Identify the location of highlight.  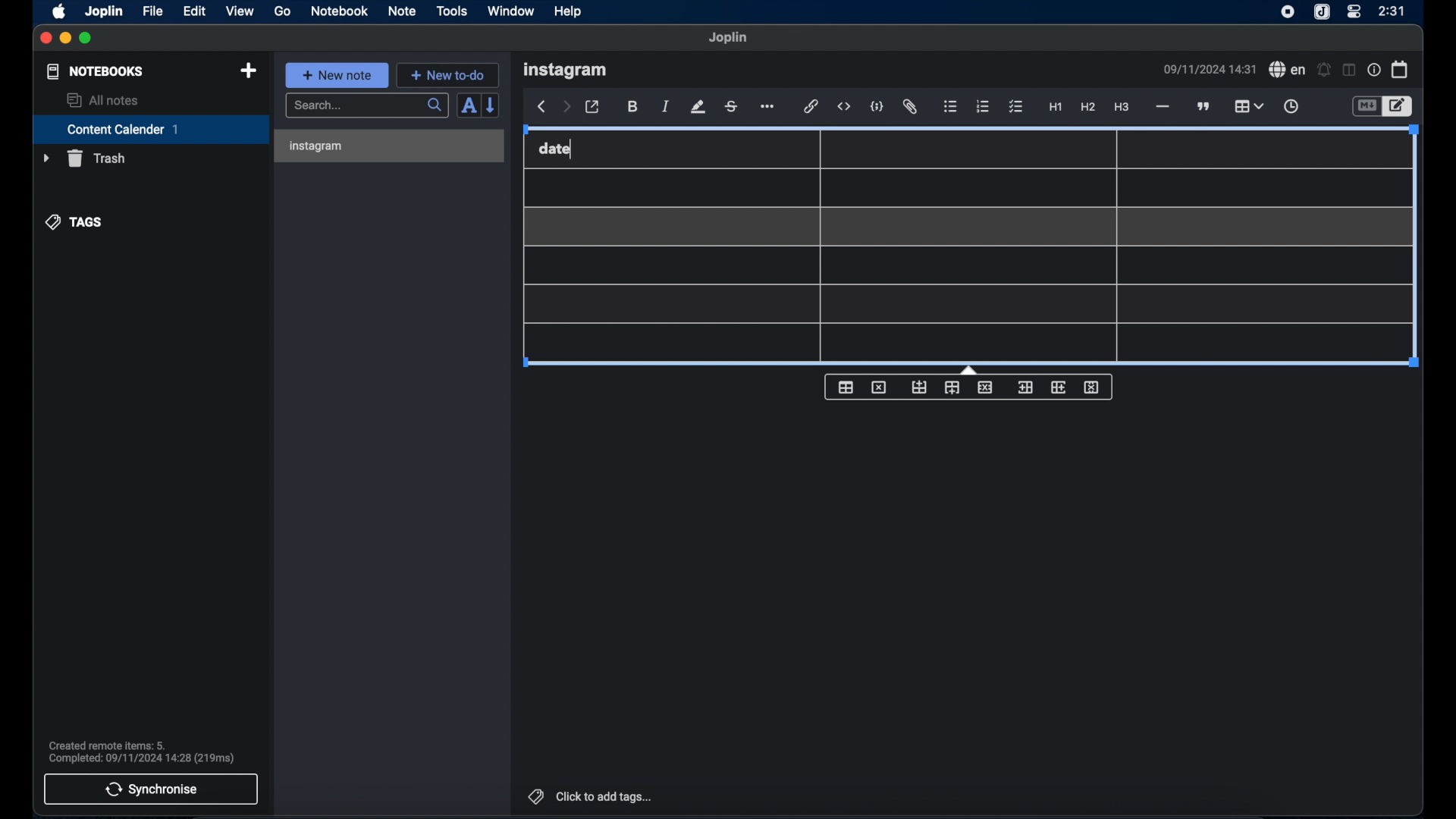
(698, 107).